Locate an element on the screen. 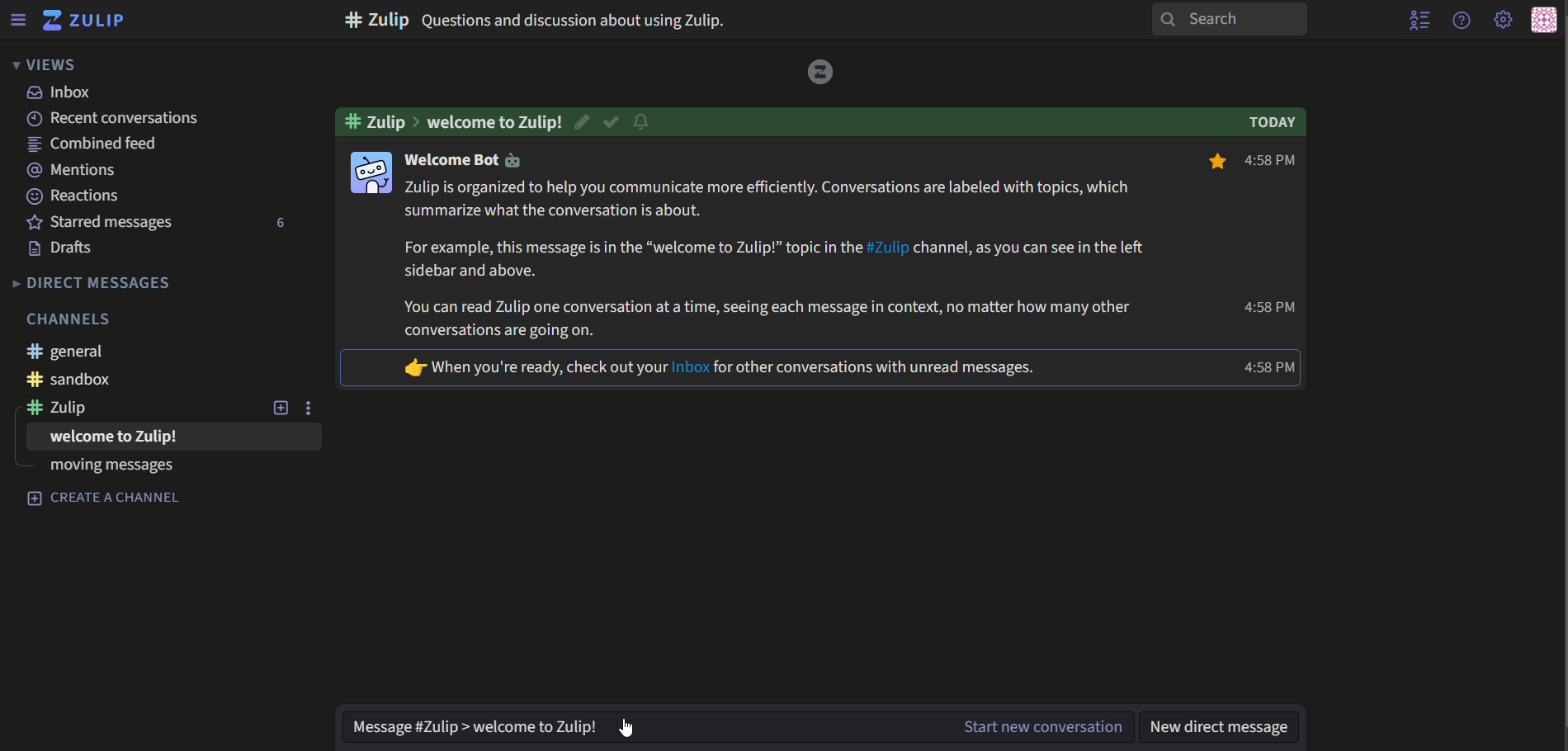 This screenshot has height=751, width=1568. text is located at coordinates (101, 145).